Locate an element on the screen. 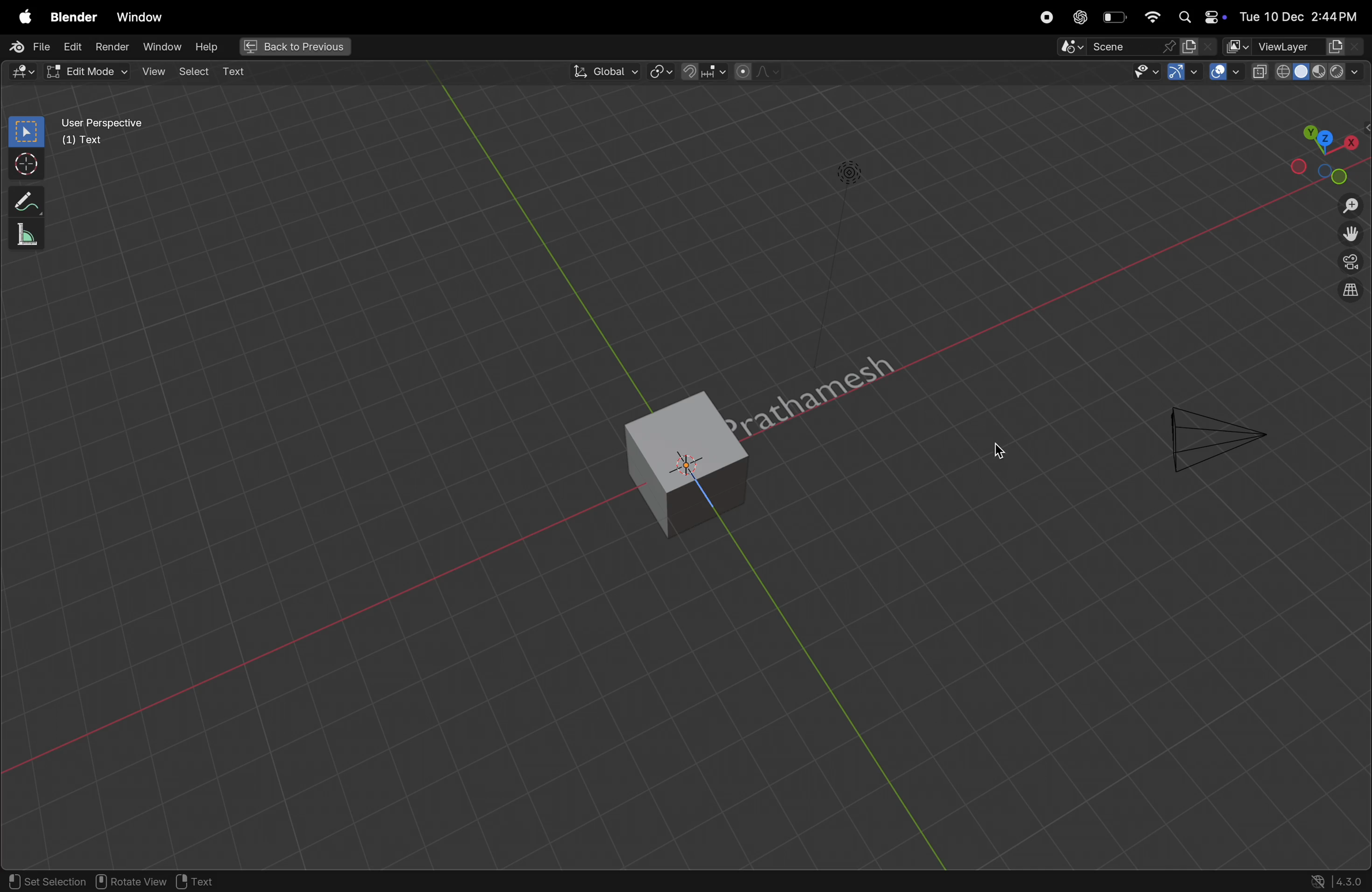  sence is located at coordinates (1108, 48).